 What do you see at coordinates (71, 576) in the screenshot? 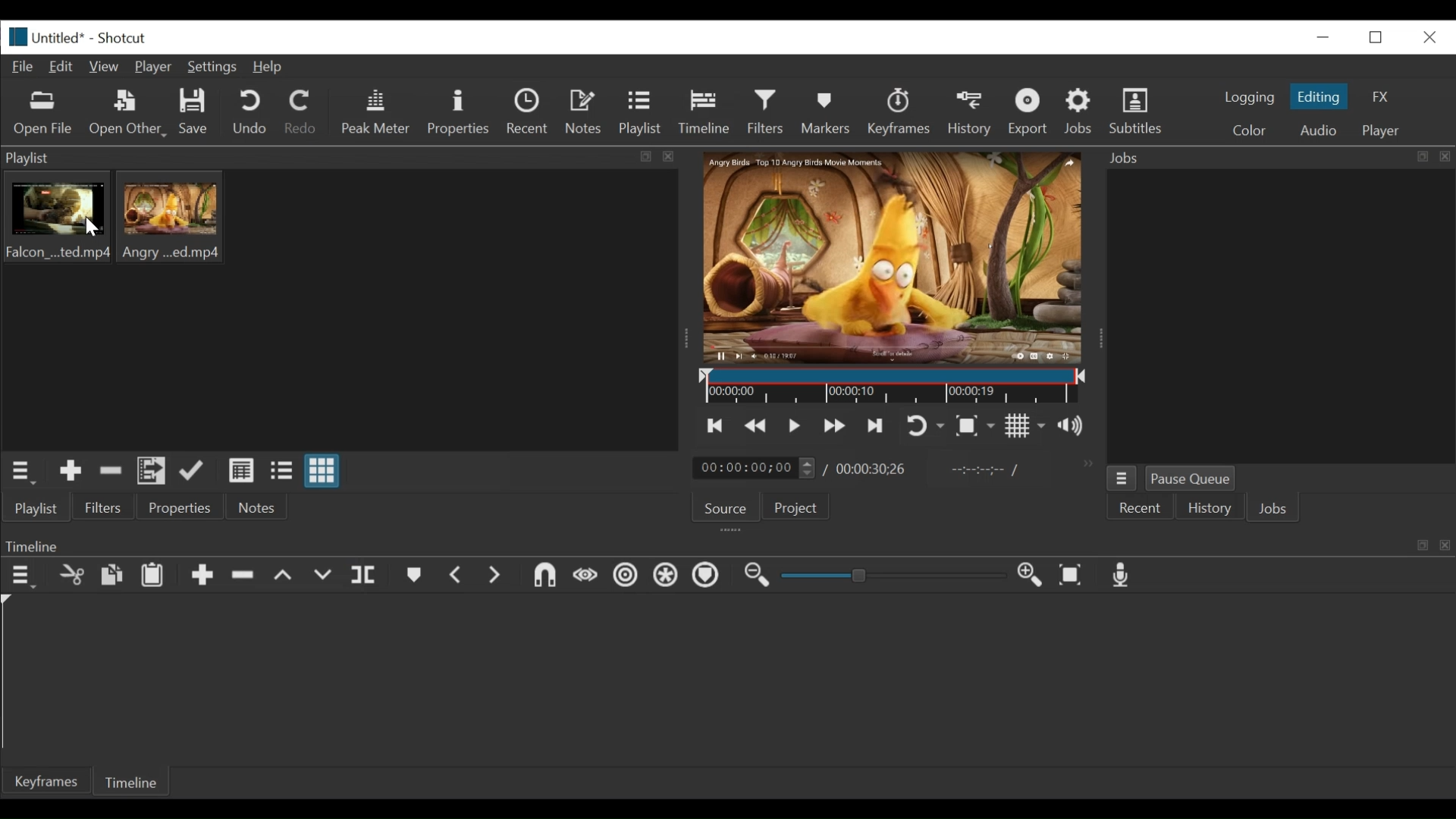
I see `cut` at bounding box center [71, 576].